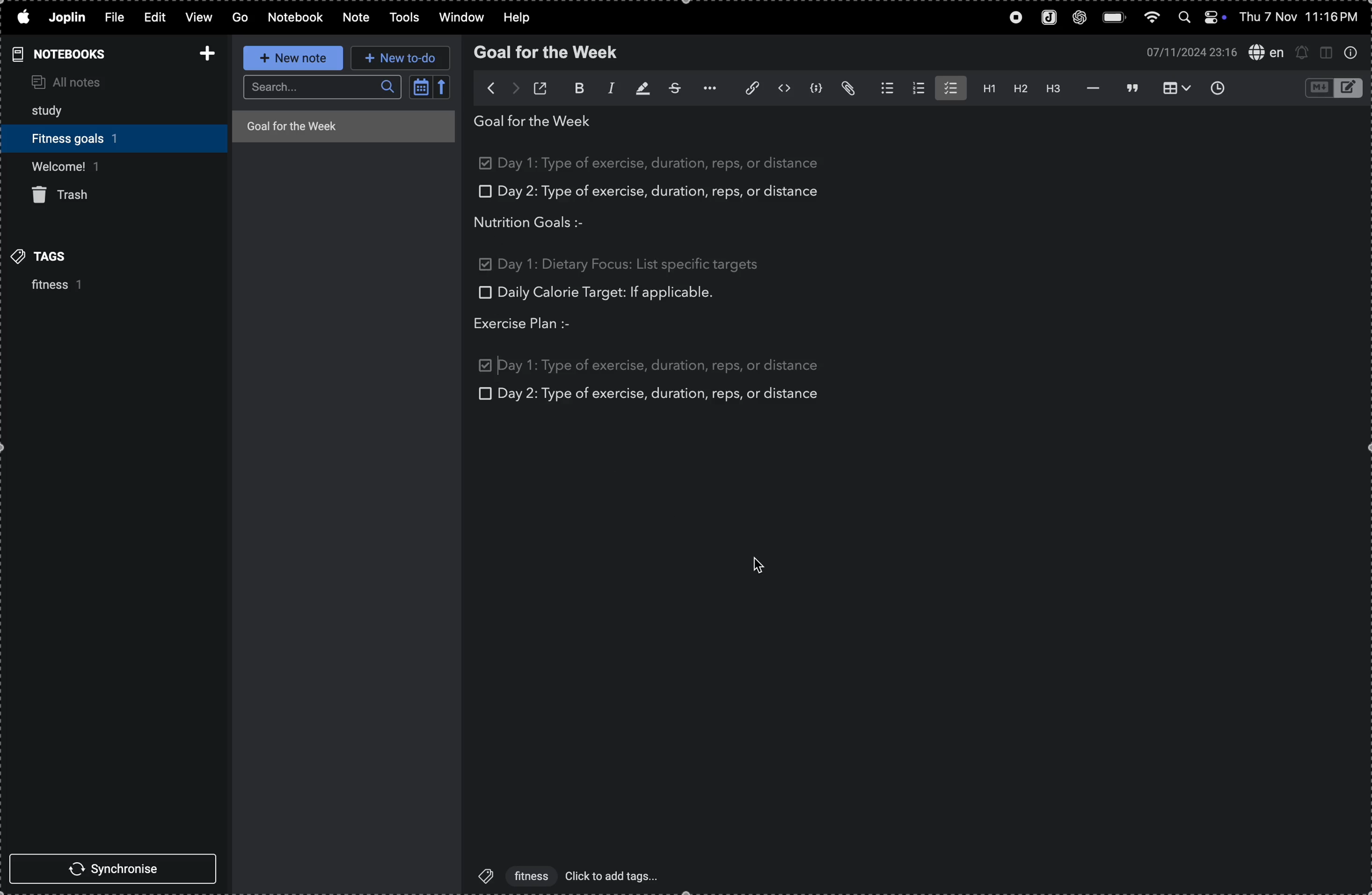 Image resolution: width=1372 pixels, height=895 pixels. Describe the element at coordinates (604, 89) in the screenshot. I see `italic` at that location.